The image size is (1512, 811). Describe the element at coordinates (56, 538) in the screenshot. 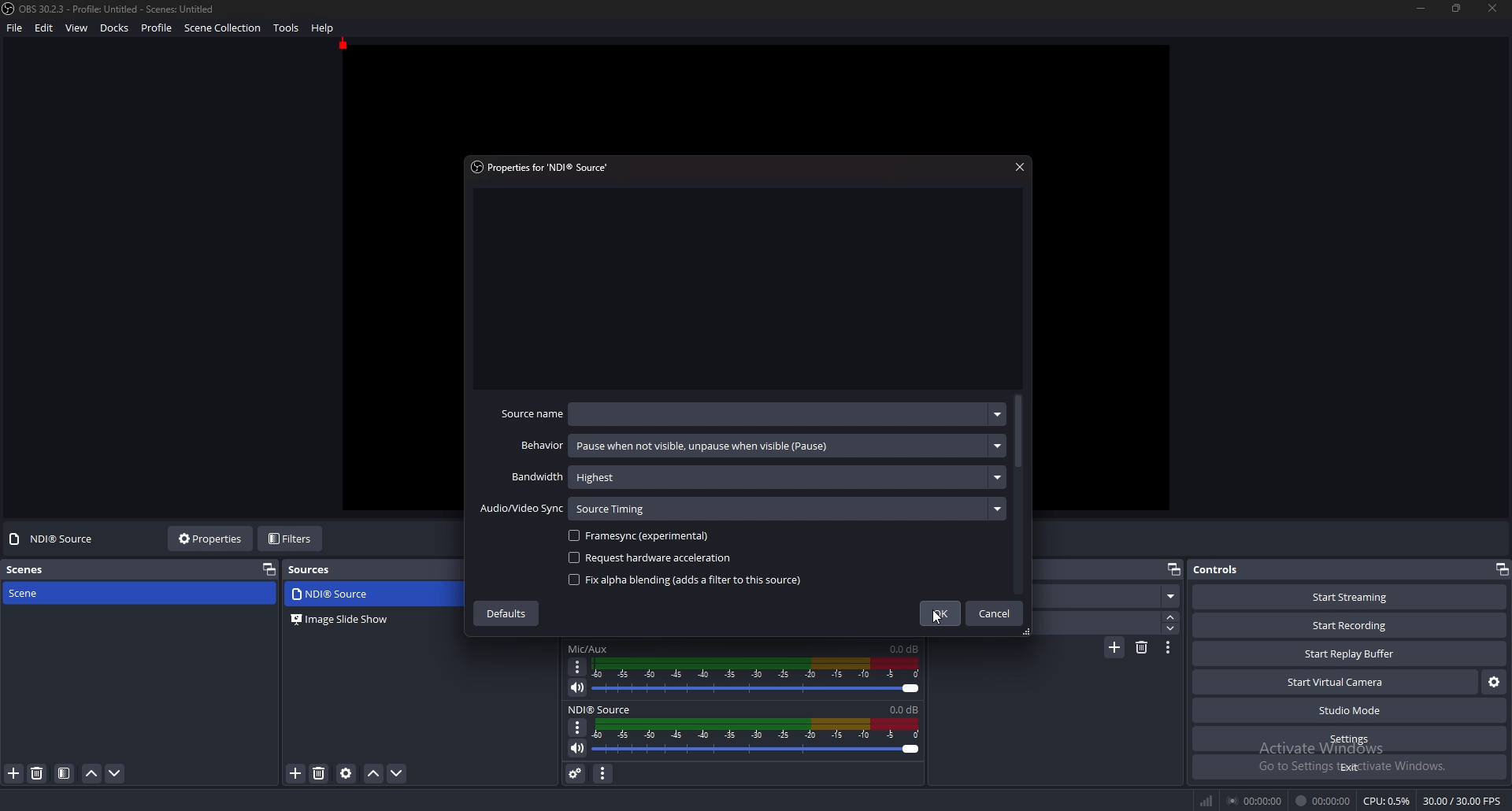

I see `no source selected` at that location.